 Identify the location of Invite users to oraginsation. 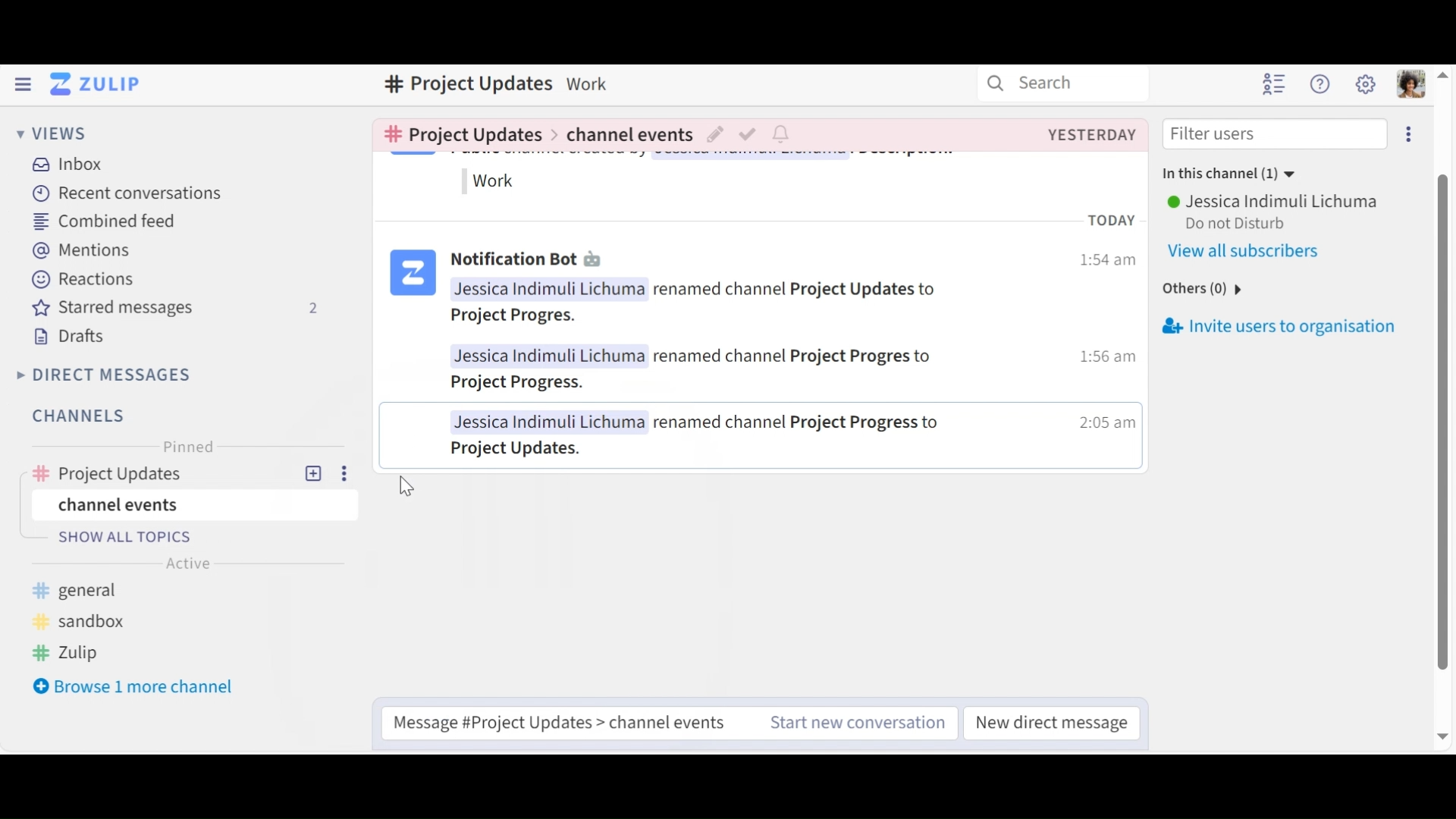
(1295, 324).